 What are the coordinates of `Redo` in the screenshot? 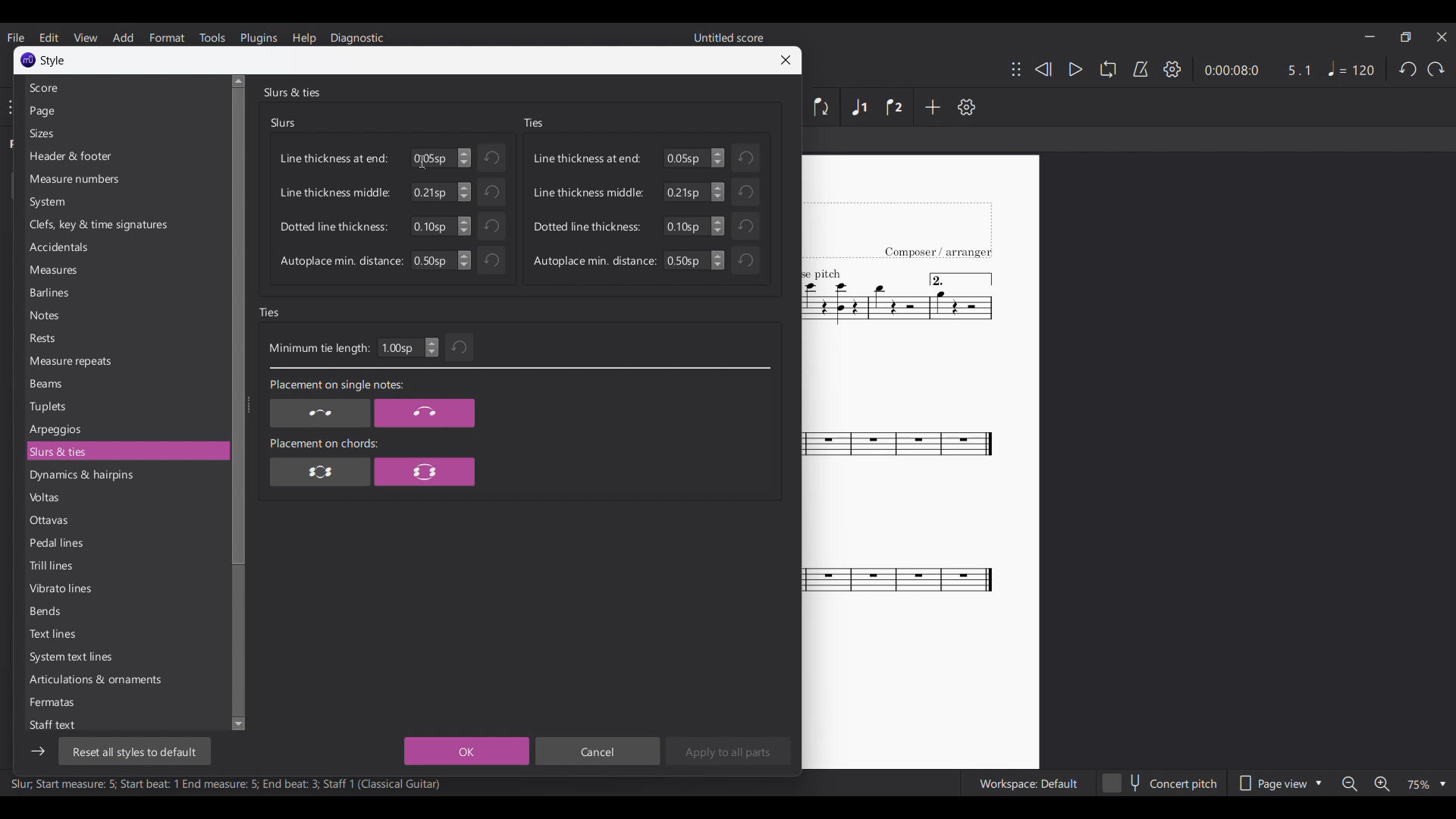 It's located at (1436, 69).